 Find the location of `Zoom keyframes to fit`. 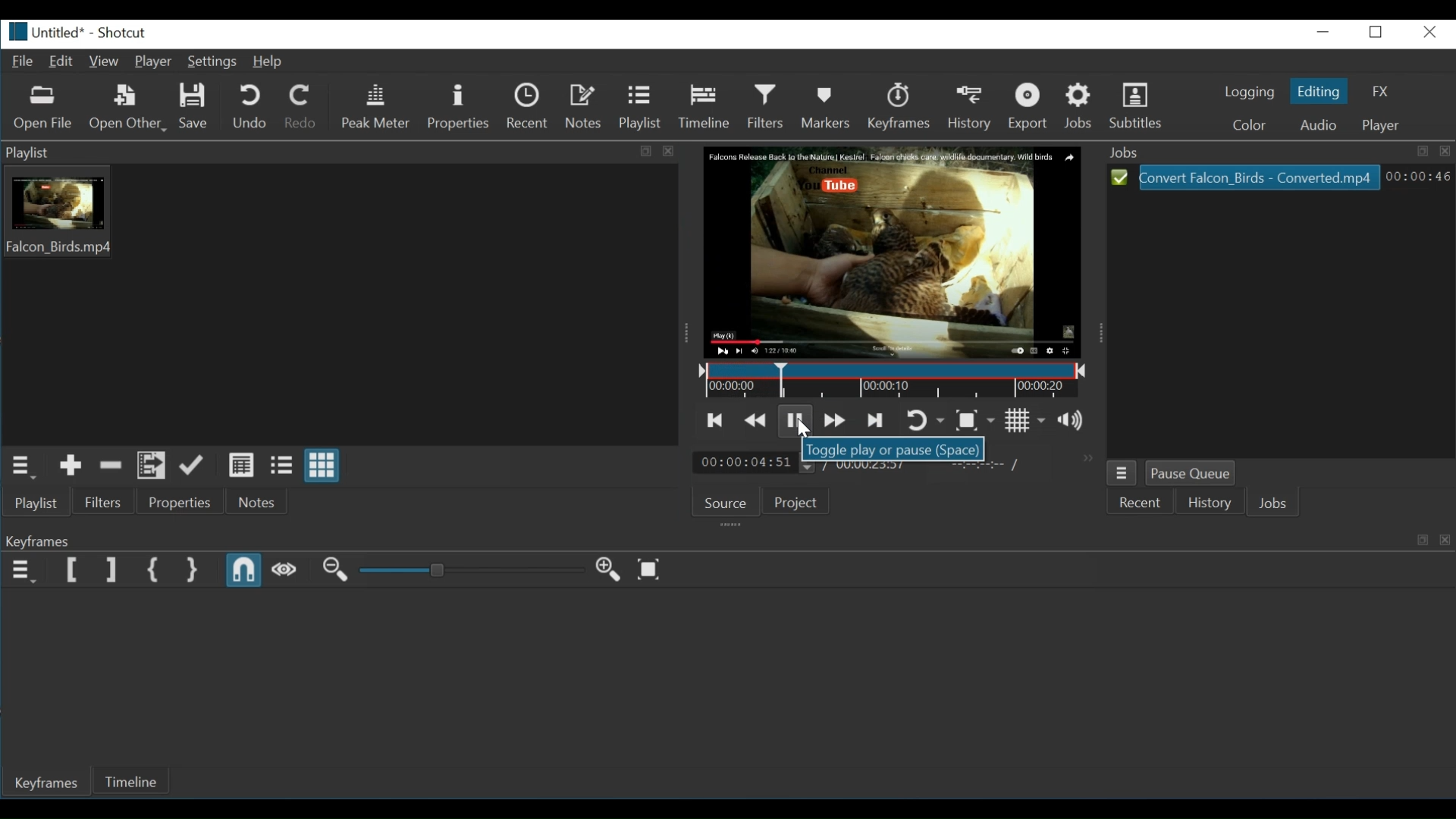

Zoom keyframes to fit is located at coordinates (647, 570).